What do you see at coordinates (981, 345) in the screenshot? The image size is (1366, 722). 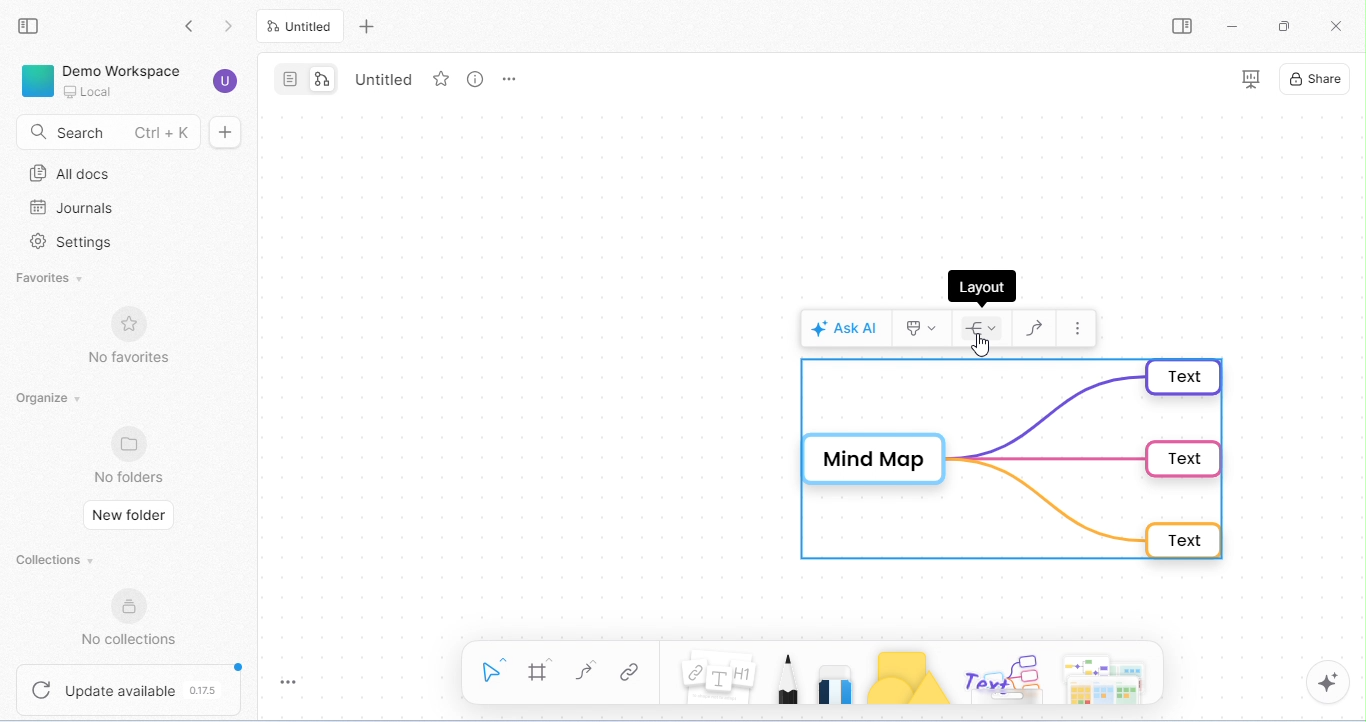 I see `cursor movement` at bounding box center [981, 345].